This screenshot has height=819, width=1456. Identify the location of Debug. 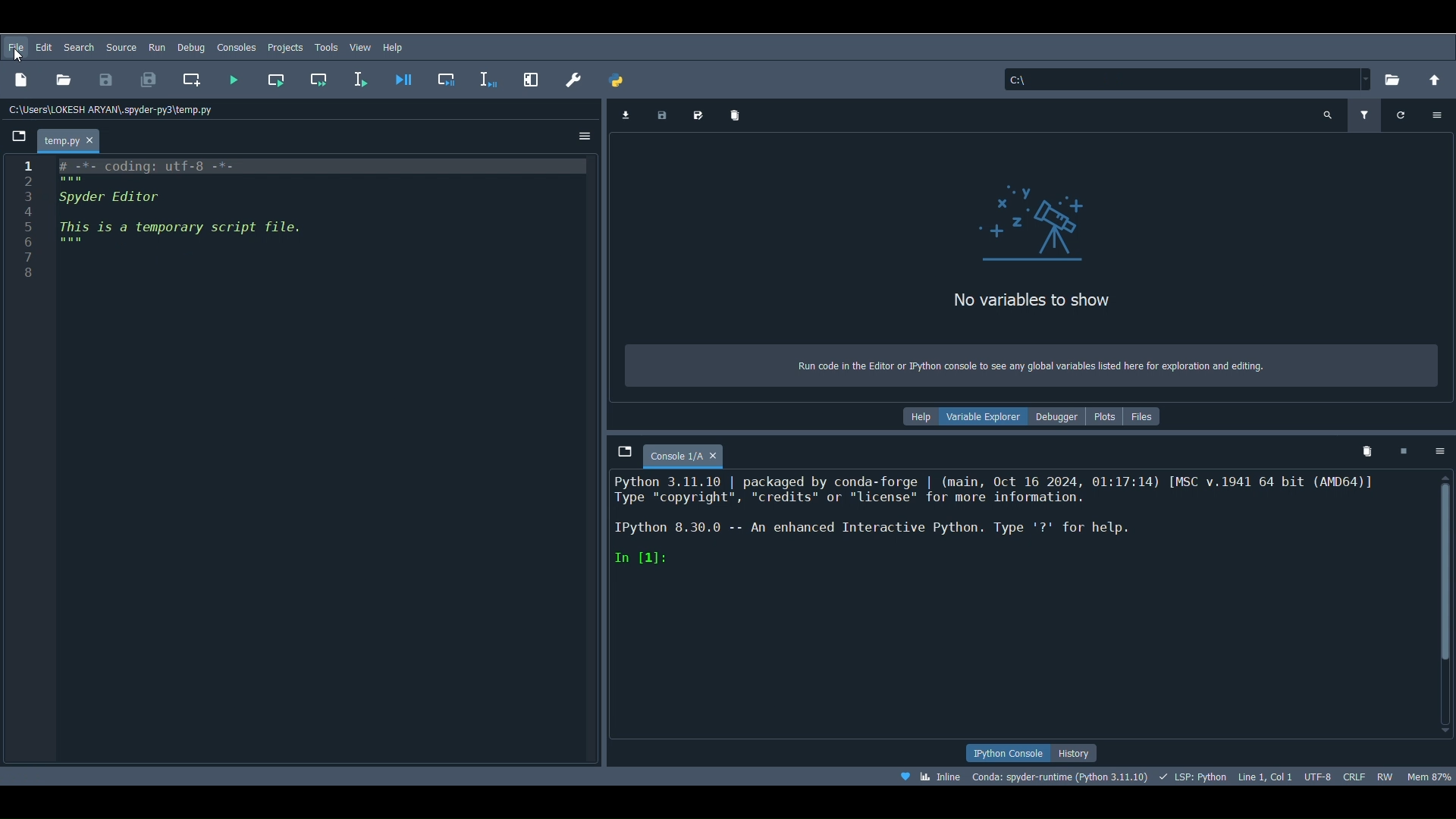
(191, 46).